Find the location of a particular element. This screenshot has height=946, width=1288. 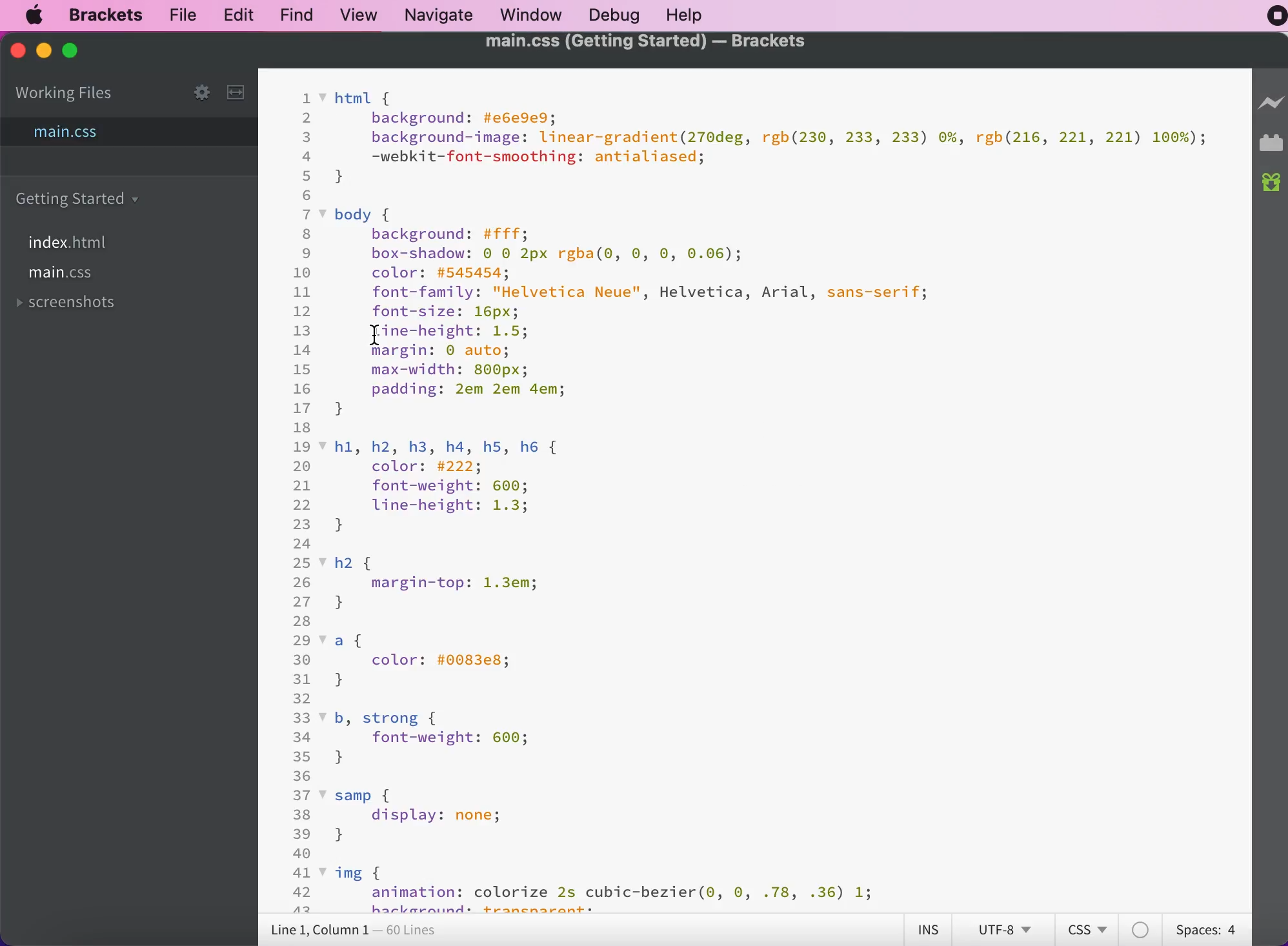

1 is located at coordinates (306, 98).